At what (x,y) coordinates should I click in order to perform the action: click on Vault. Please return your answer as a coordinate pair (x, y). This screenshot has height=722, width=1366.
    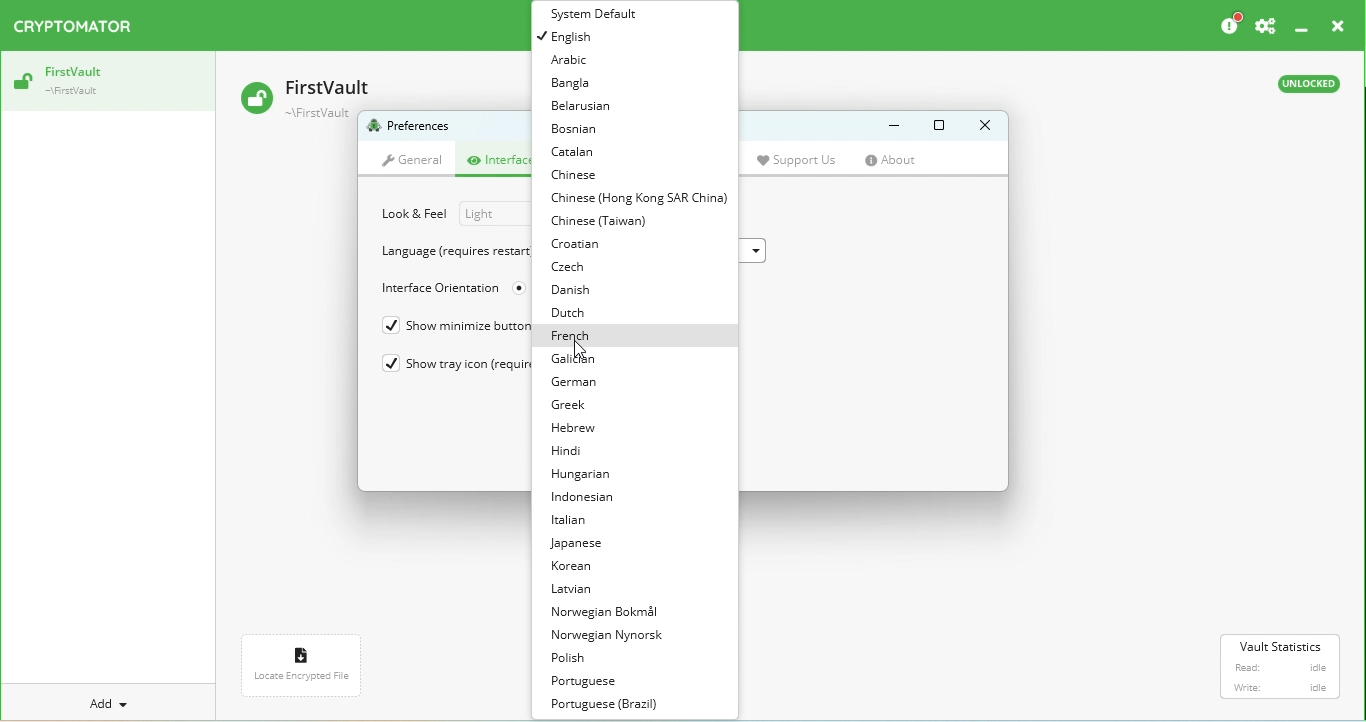
    Looking at the image, I should click on (312, 93).